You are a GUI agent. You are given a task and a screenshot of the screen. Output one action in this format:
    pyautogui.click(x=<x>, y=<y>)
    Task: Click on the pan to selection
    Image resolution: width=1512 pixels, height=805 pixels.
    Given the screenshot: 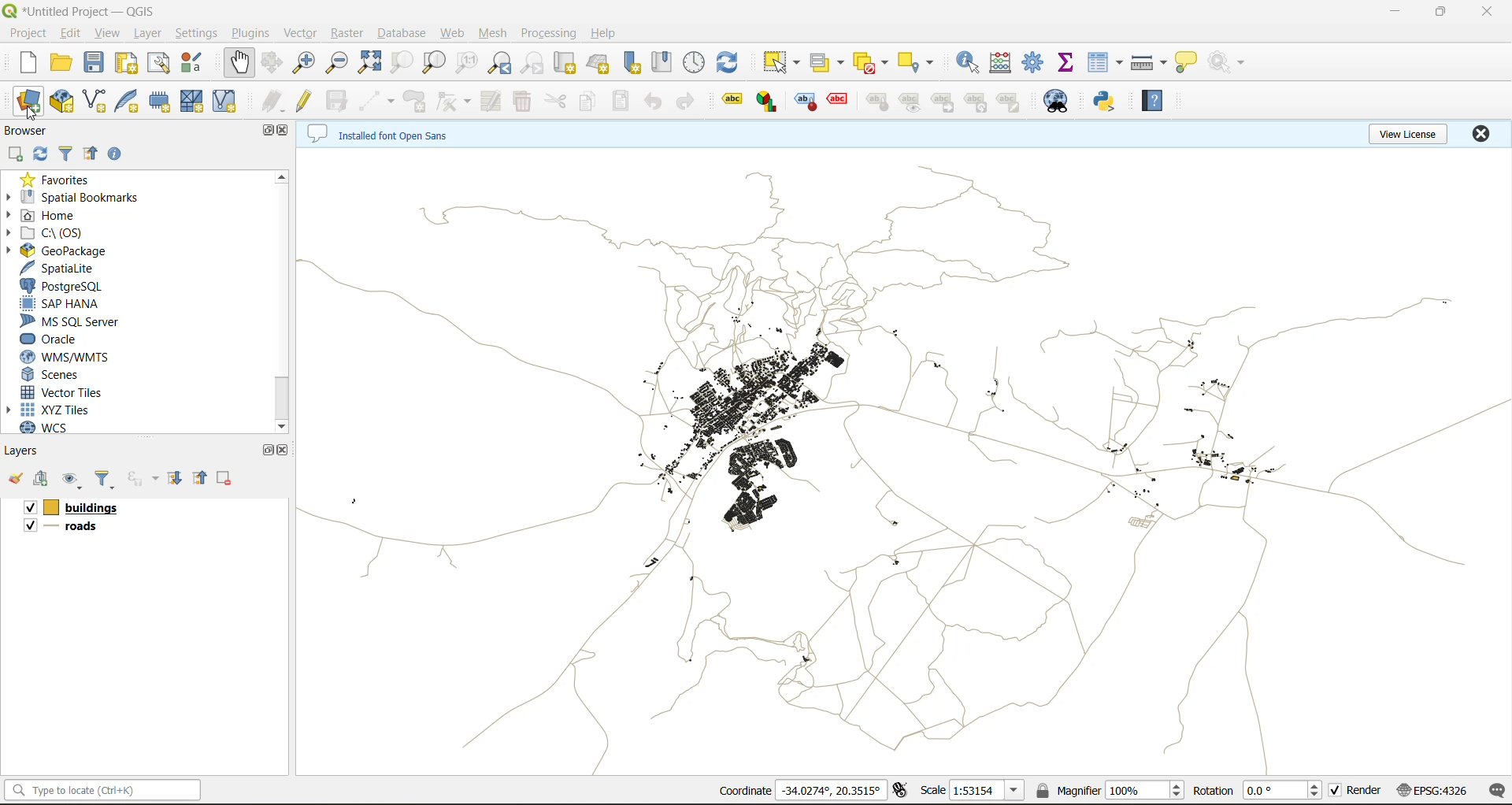 What is the action you would take?
    pyautogui.click(x=272, y=64)
    